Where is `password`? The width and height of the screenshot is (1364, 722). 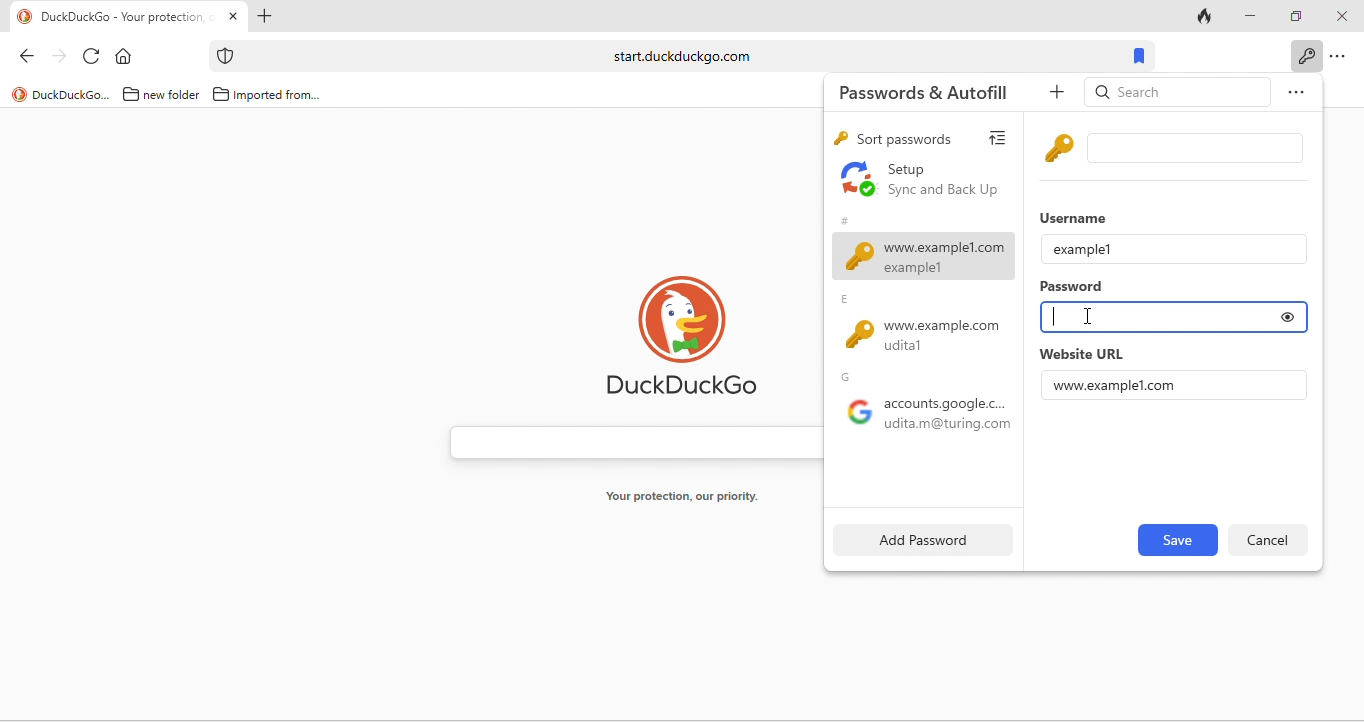
password is located at coordinates (1074, 288).